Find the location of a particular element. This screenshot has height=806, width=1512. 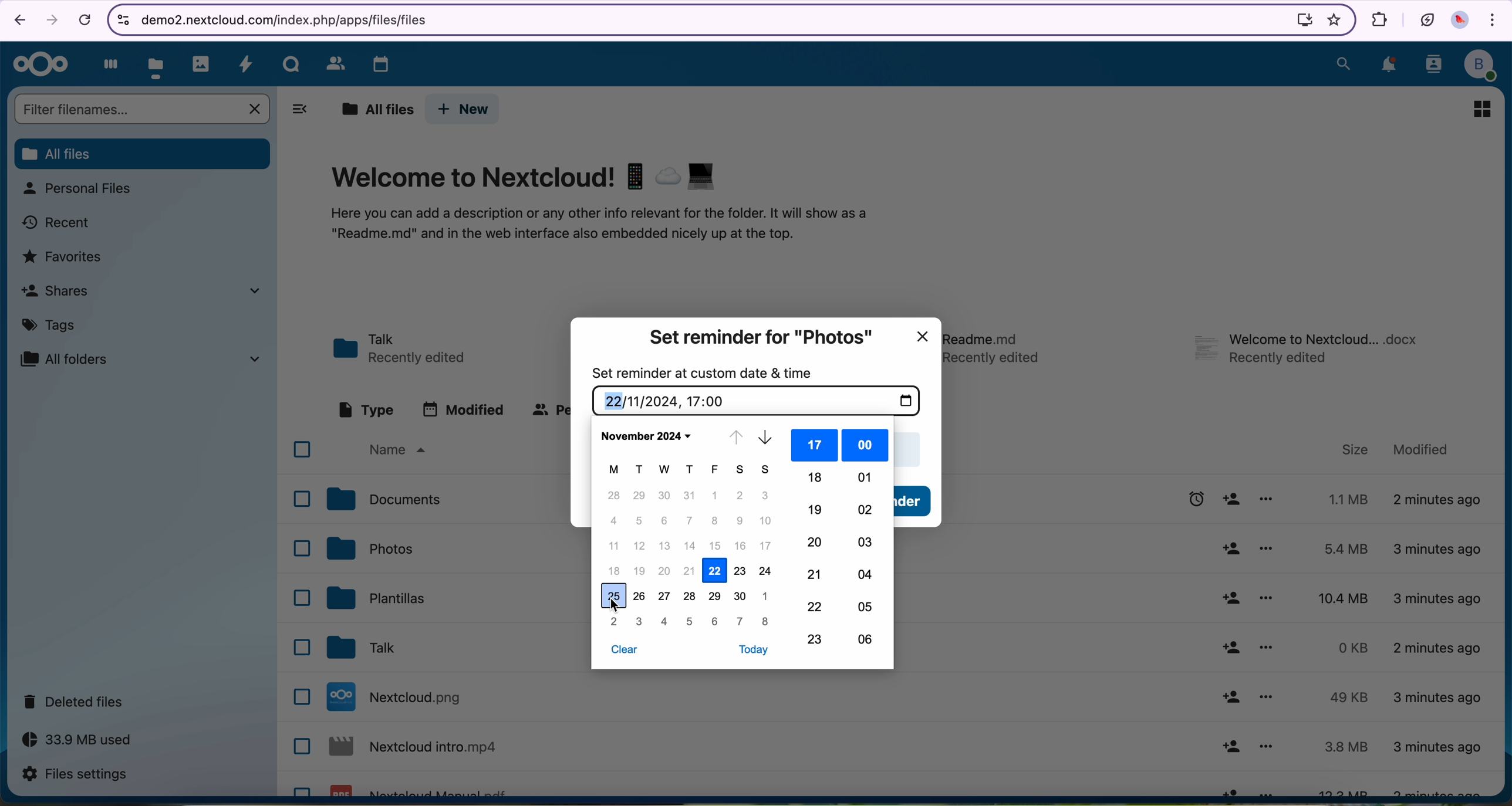

friday is located at coordinates (718, 470).